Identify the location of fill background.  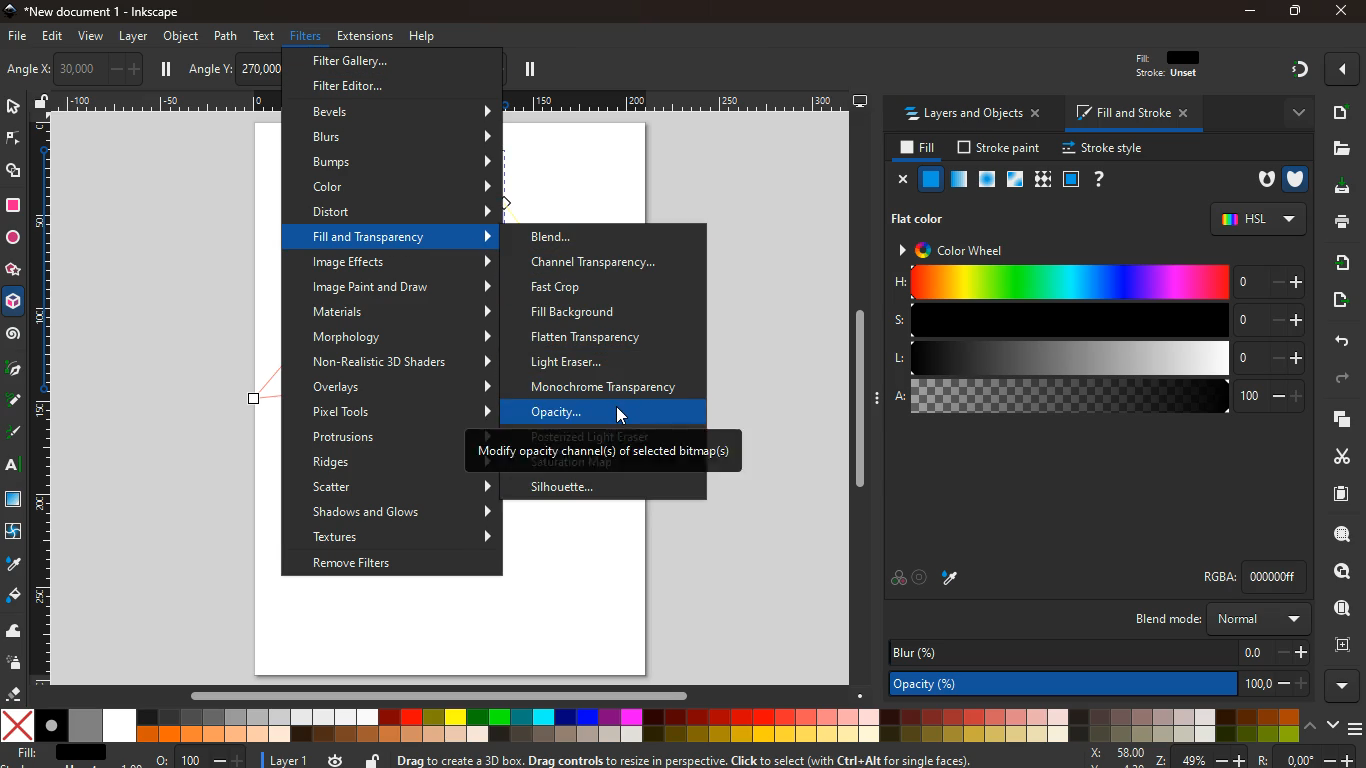
(609, 313).